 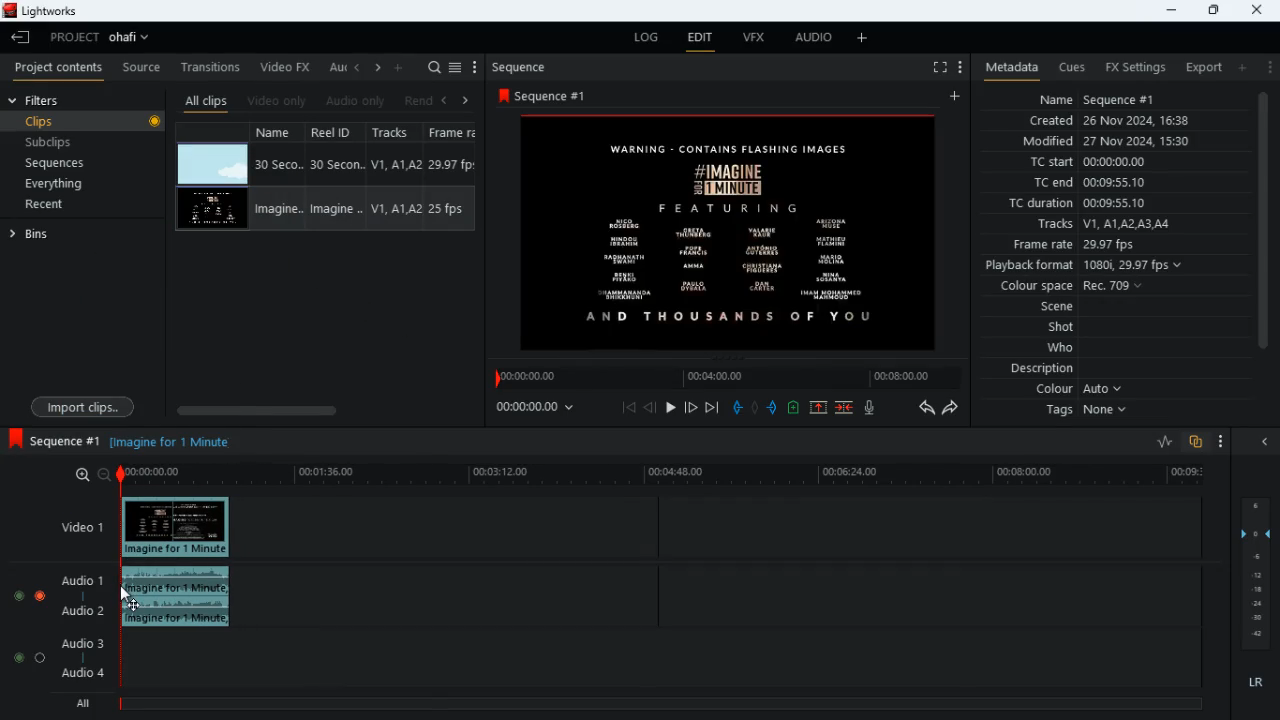 I want to click on mic, so click(x=871, y=407).